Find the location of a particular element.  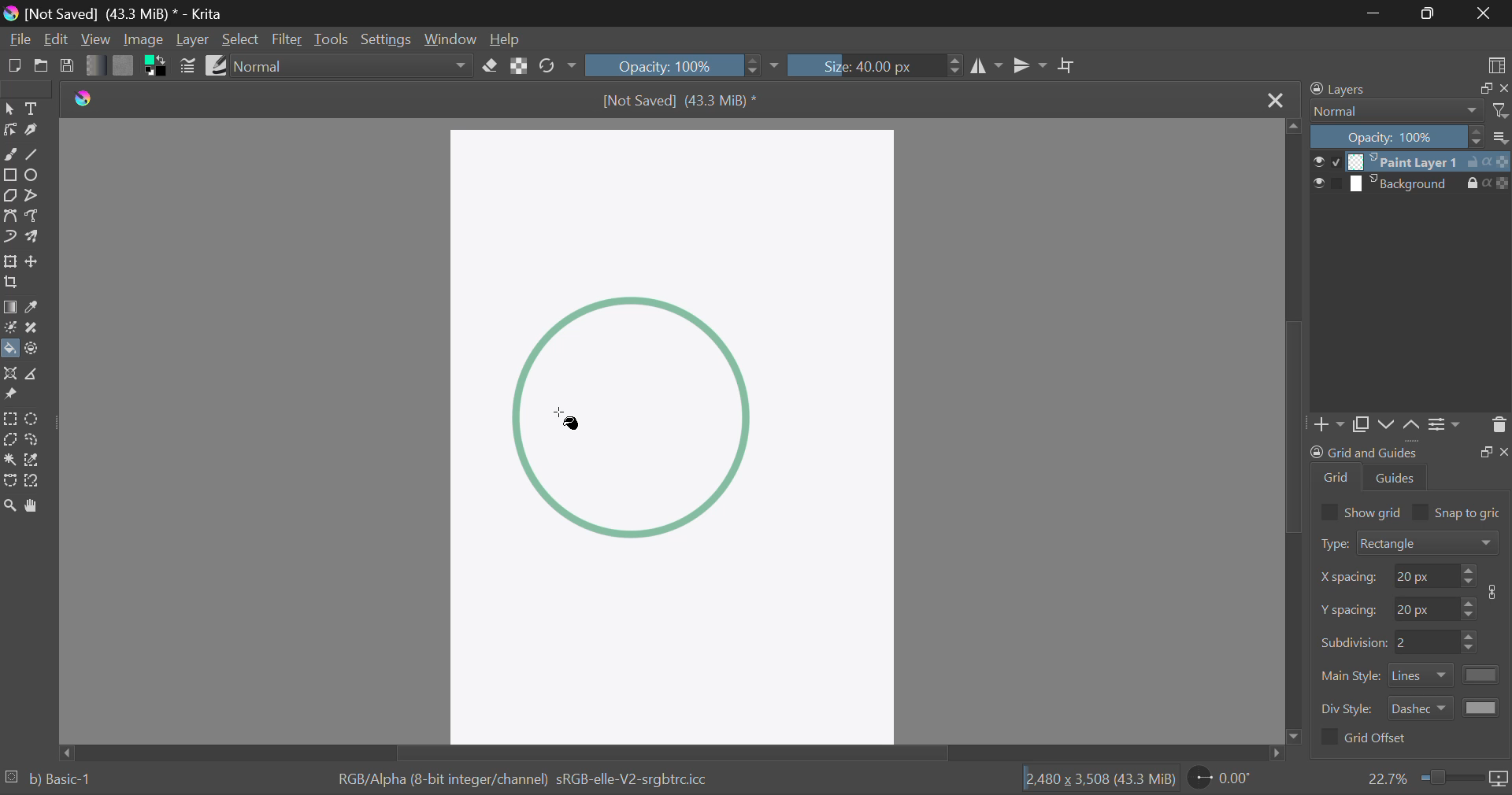

Page Rotation is located at coordinates (1224, 780).